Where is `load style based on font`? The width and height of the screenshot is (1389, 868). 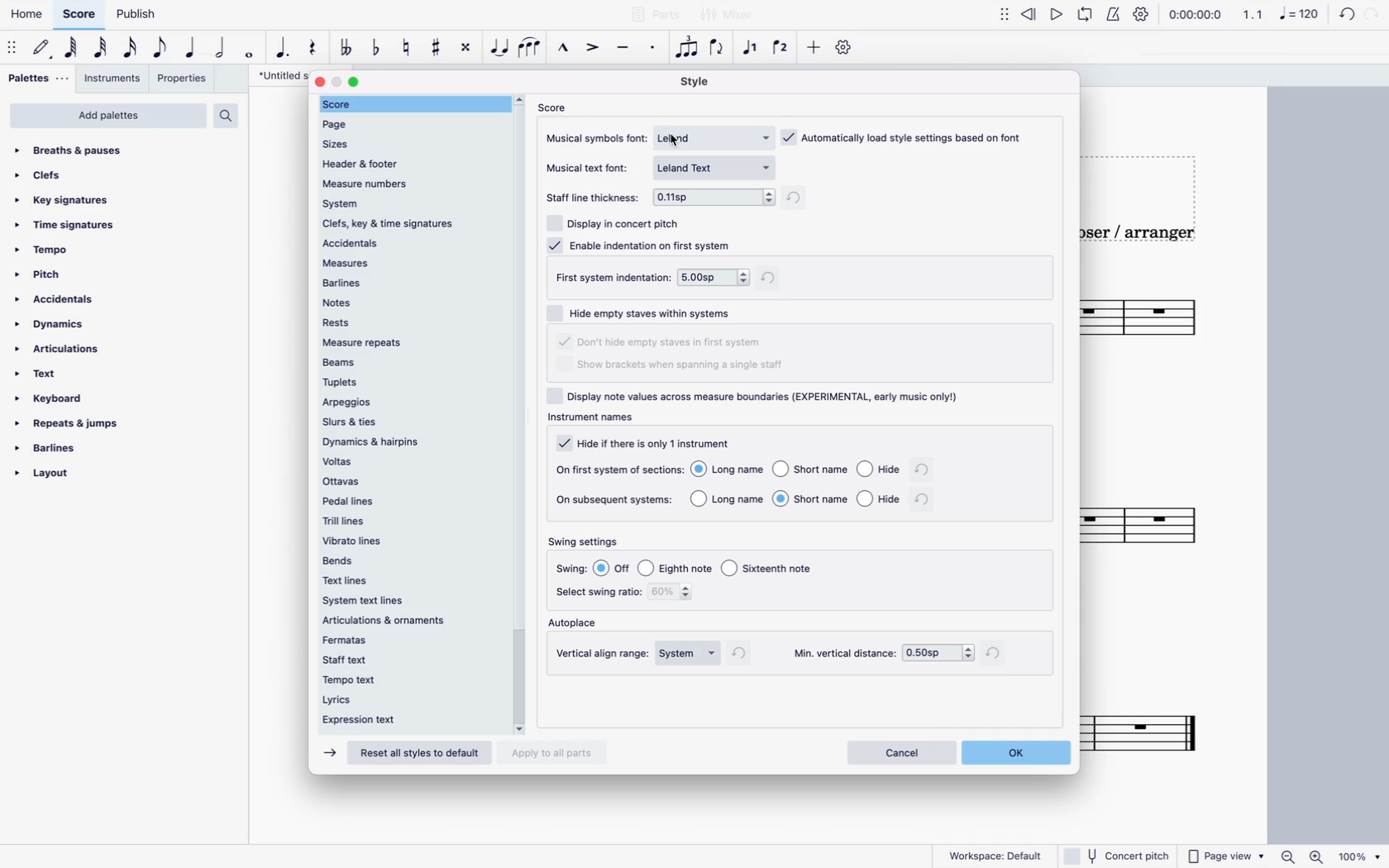 load style based on font is located at coordinates (909, 136).